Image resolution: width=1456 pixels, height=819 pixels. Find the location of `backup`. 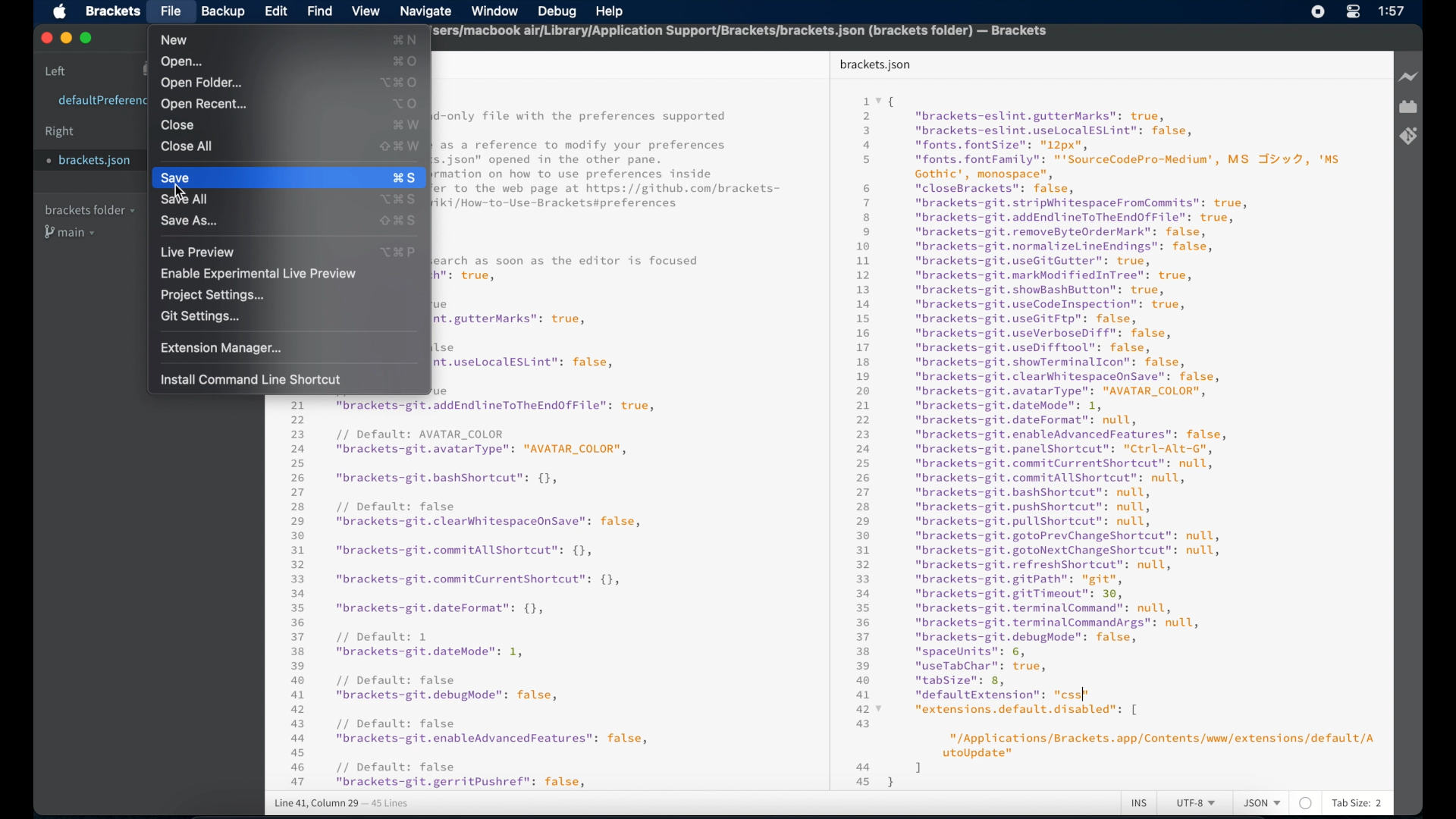

backup is located at coordinates (223, 11).